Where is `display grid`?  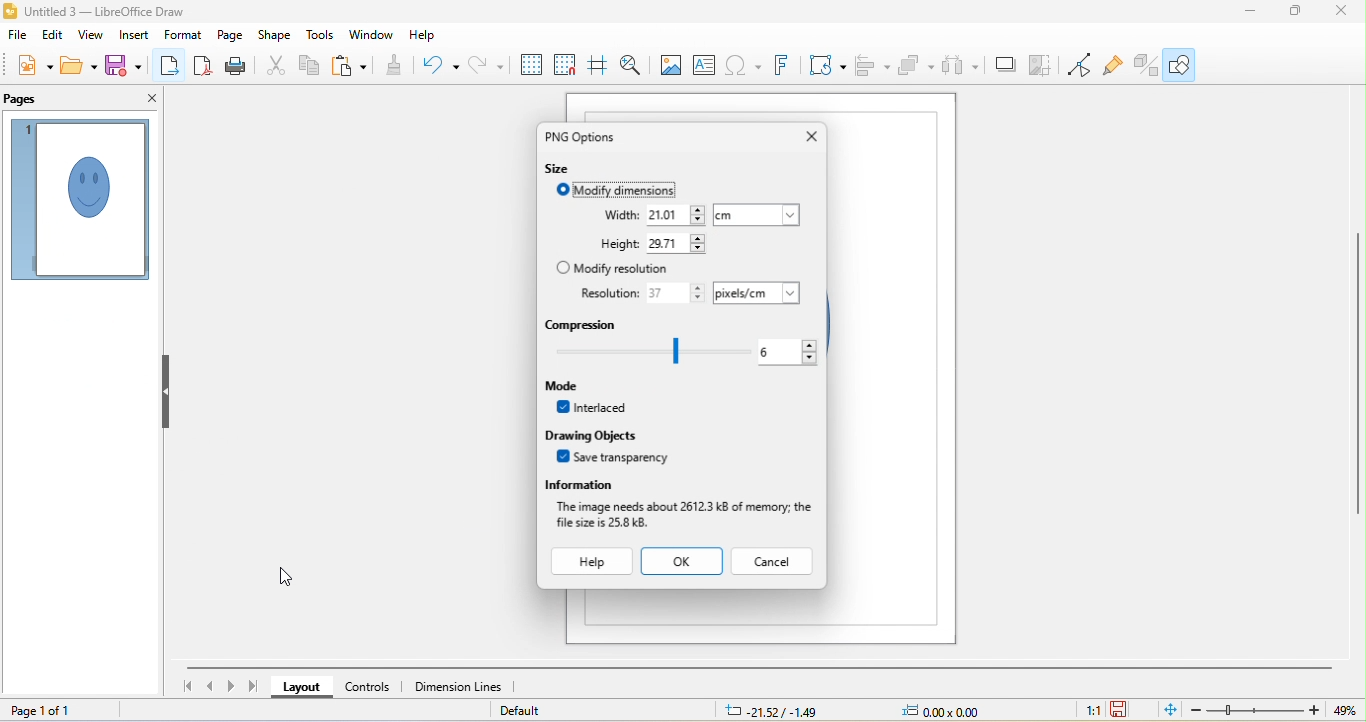
display grid is located at coordinates (532, 64).